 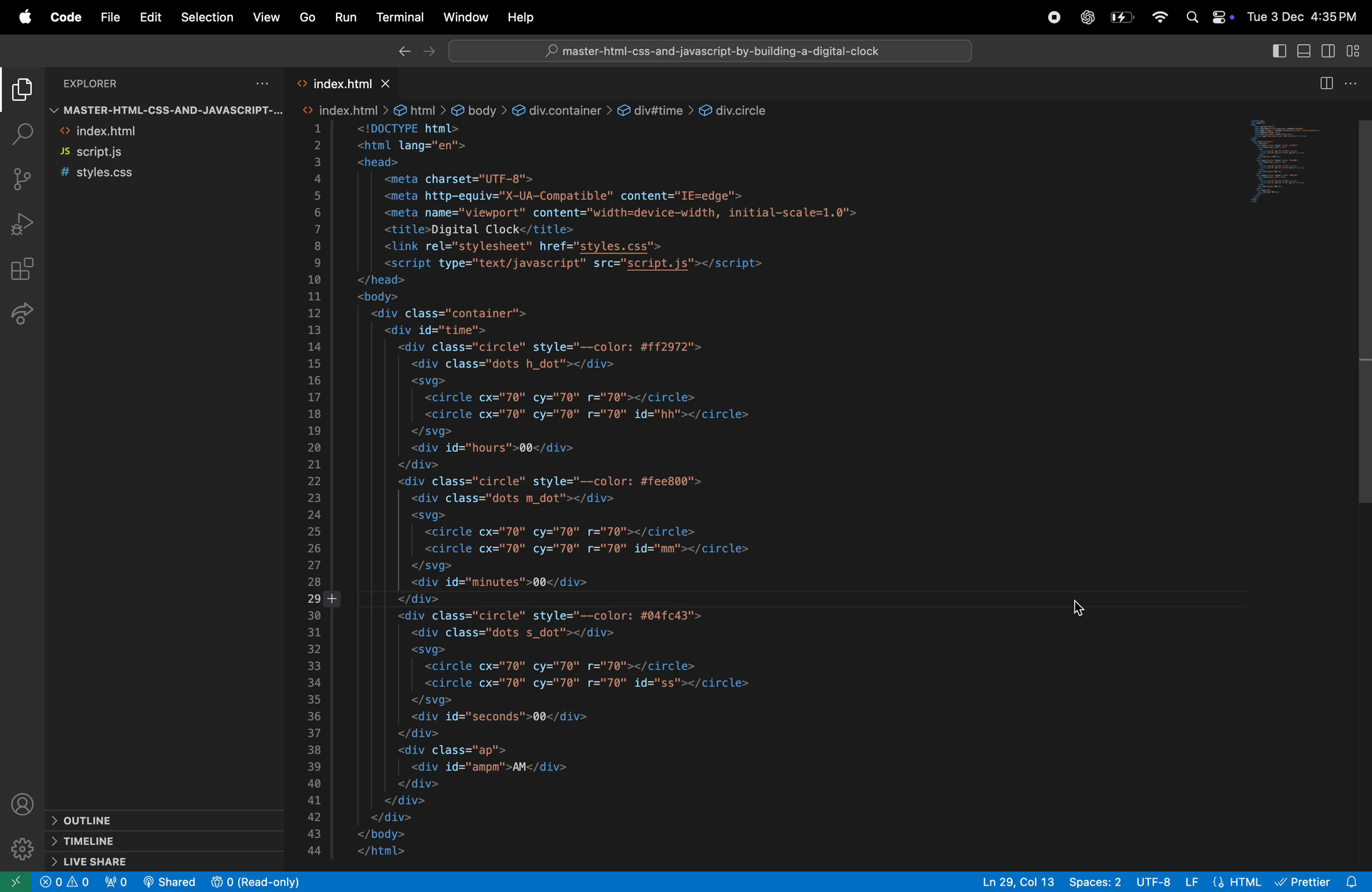 What do you see at coordinates (431, 52) in the screenshot?
I see `forward` at bounding box center [431, 52].